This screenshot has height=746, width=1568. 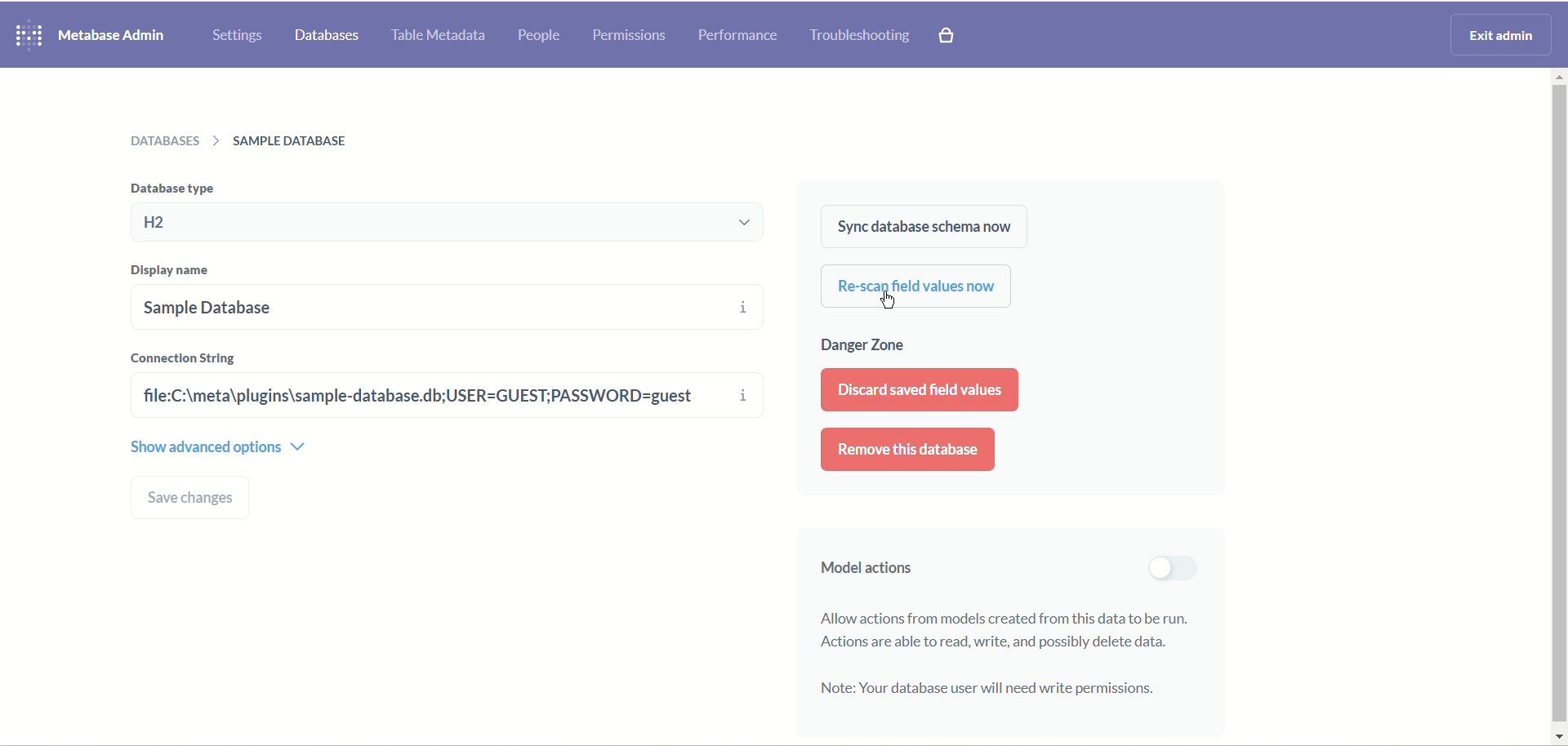 What do you see at coordinates (950, 38) in the screenshot?
I see `paid features` at bounding box center [950, 38].